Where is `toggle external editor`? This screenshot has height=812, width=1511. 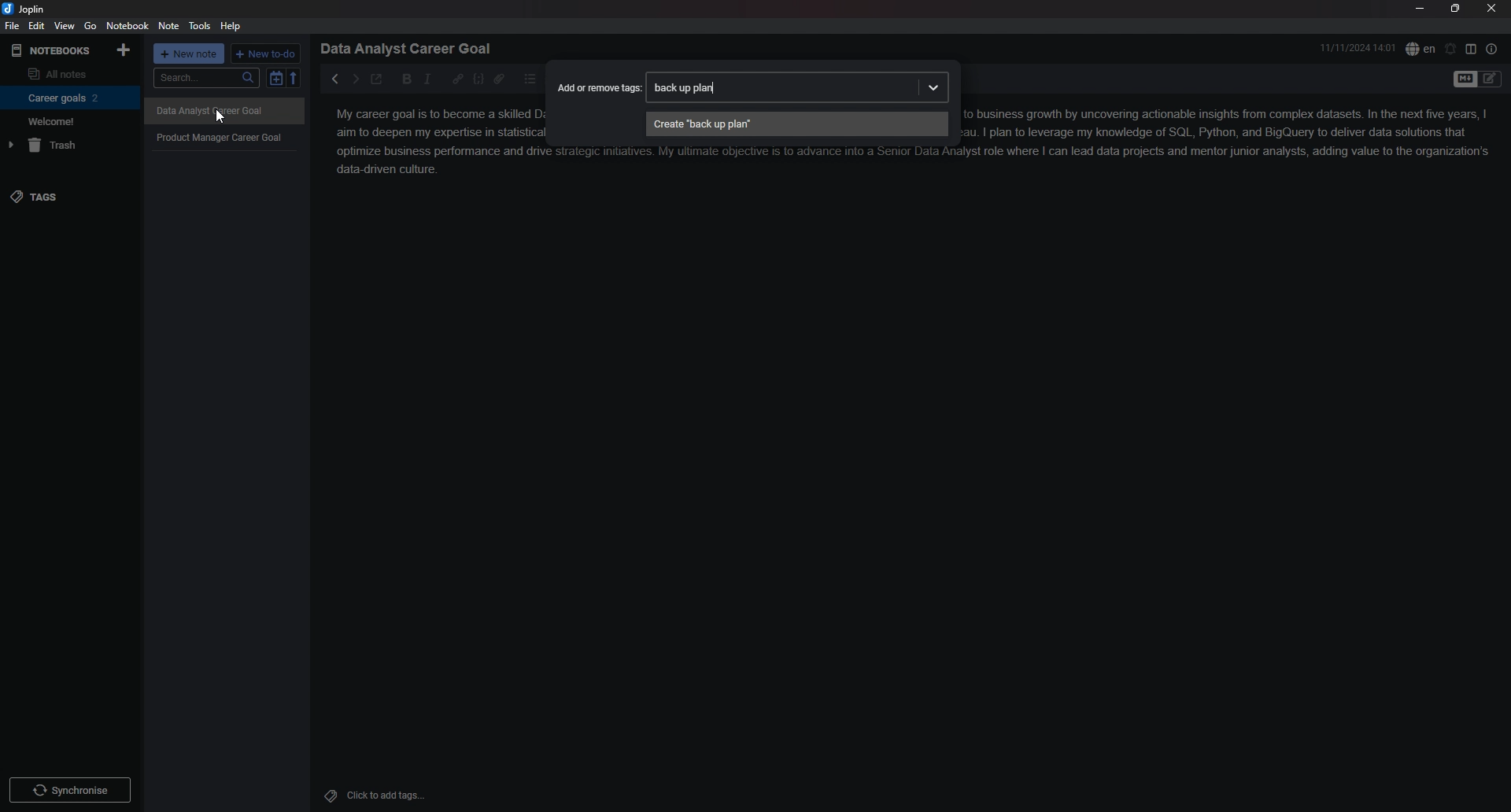
toggle external editor is located at coordinates (378, 79).